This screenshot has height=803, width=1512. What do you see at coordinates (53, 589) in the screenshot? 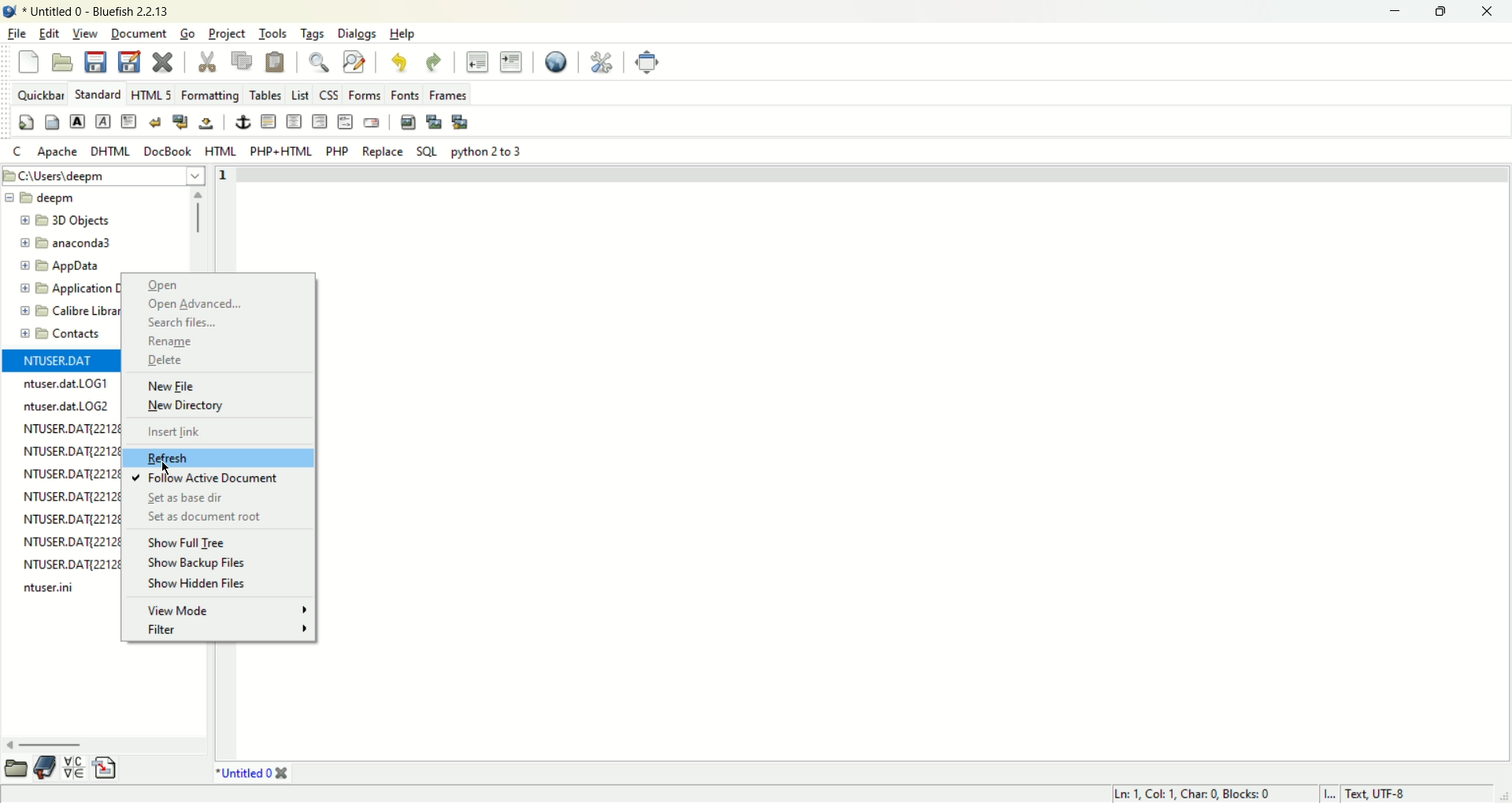
I see `ntuser.ini` at bounding box center [53, 589].